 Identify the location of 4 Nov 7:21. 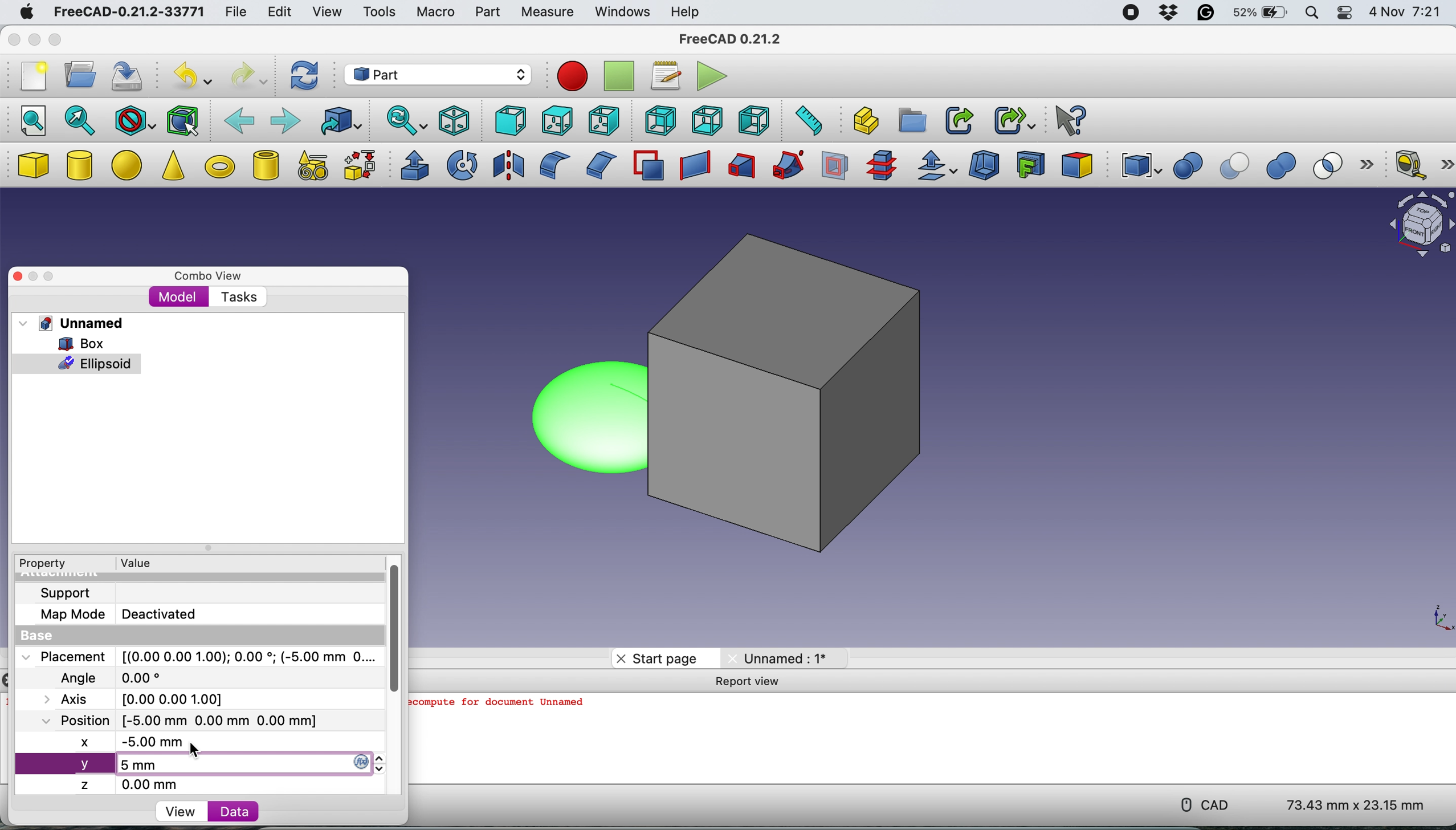
(1407, 14).